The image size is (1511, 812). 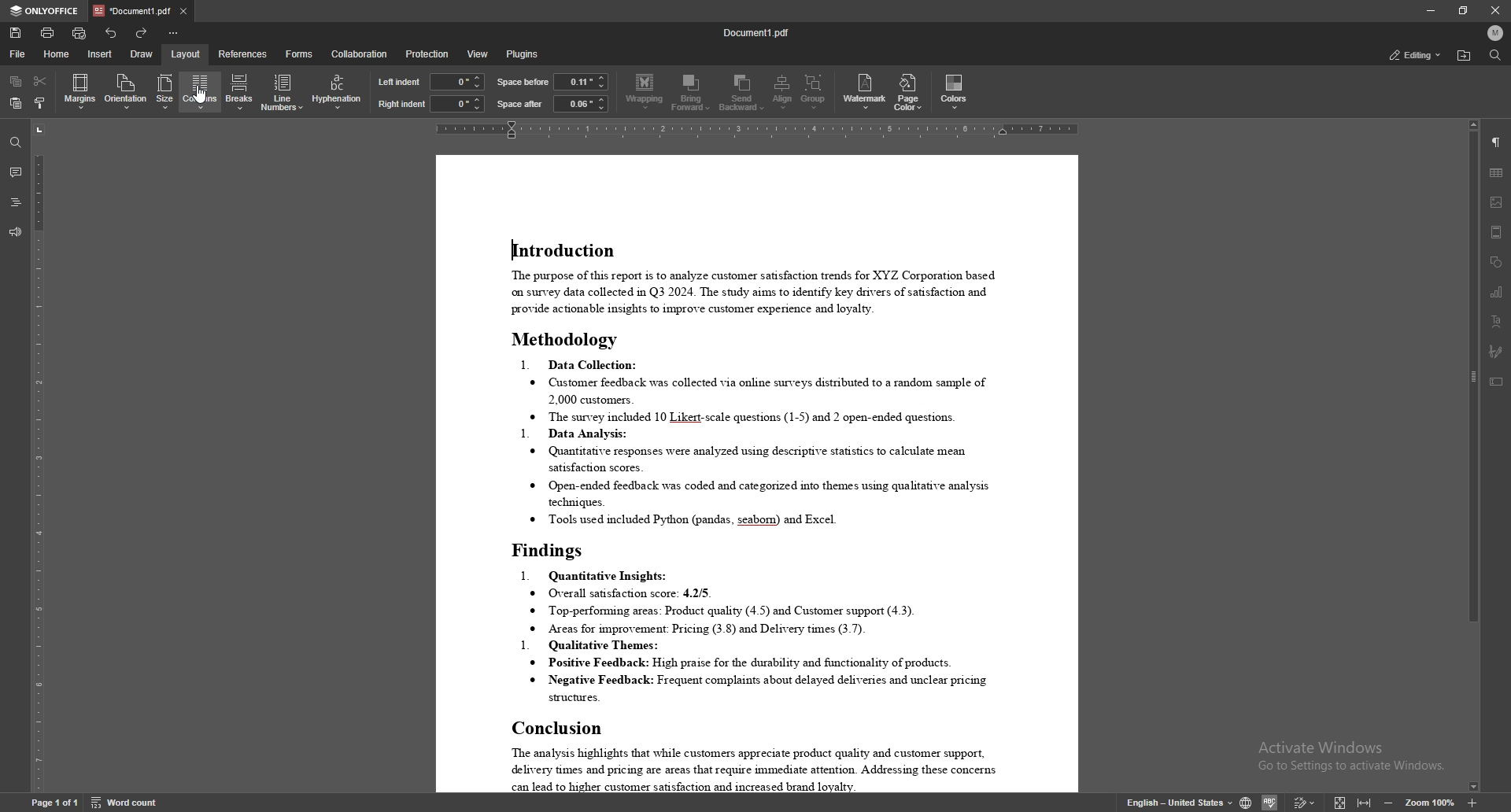 What do you see at coordinates (519, 105) in the screenshot?
I see `space after` at bounding box center [519, 105].